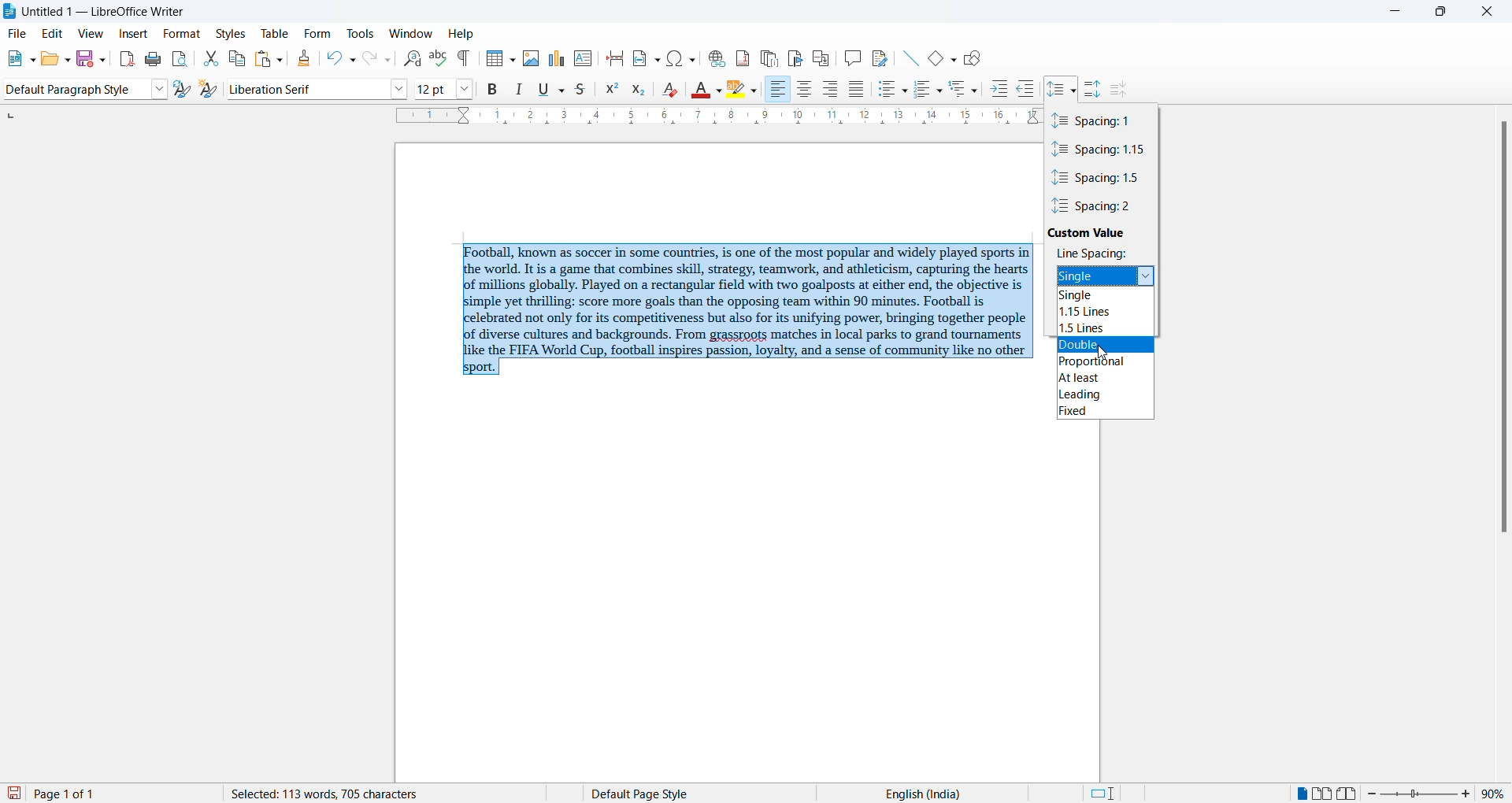 The height and width of the screenshot is (803, 1512). I want to click on justified, so click(857, 89).